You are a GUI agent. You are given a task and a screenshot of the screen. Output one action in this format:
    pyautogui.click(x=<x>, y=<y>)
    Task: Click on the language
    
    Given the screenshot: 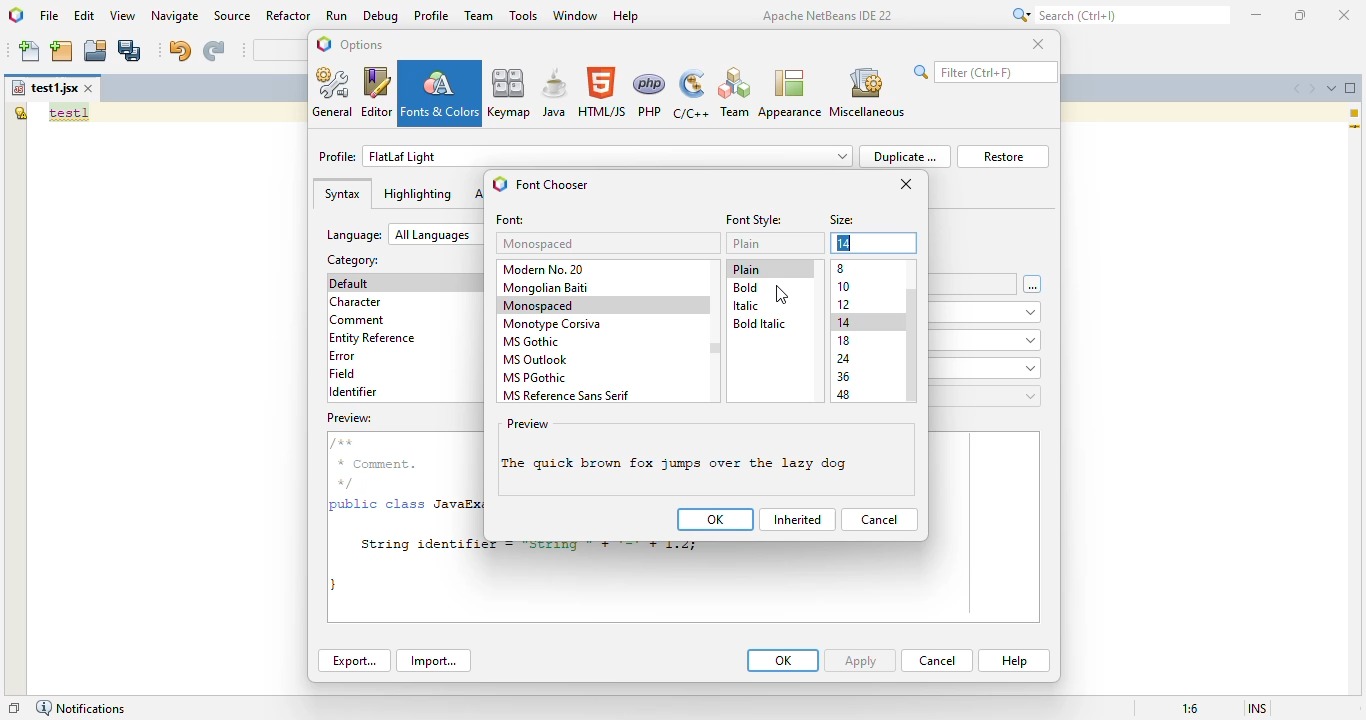 What is the action you would take?
    pyautogui.click(x=403, y=234)
    